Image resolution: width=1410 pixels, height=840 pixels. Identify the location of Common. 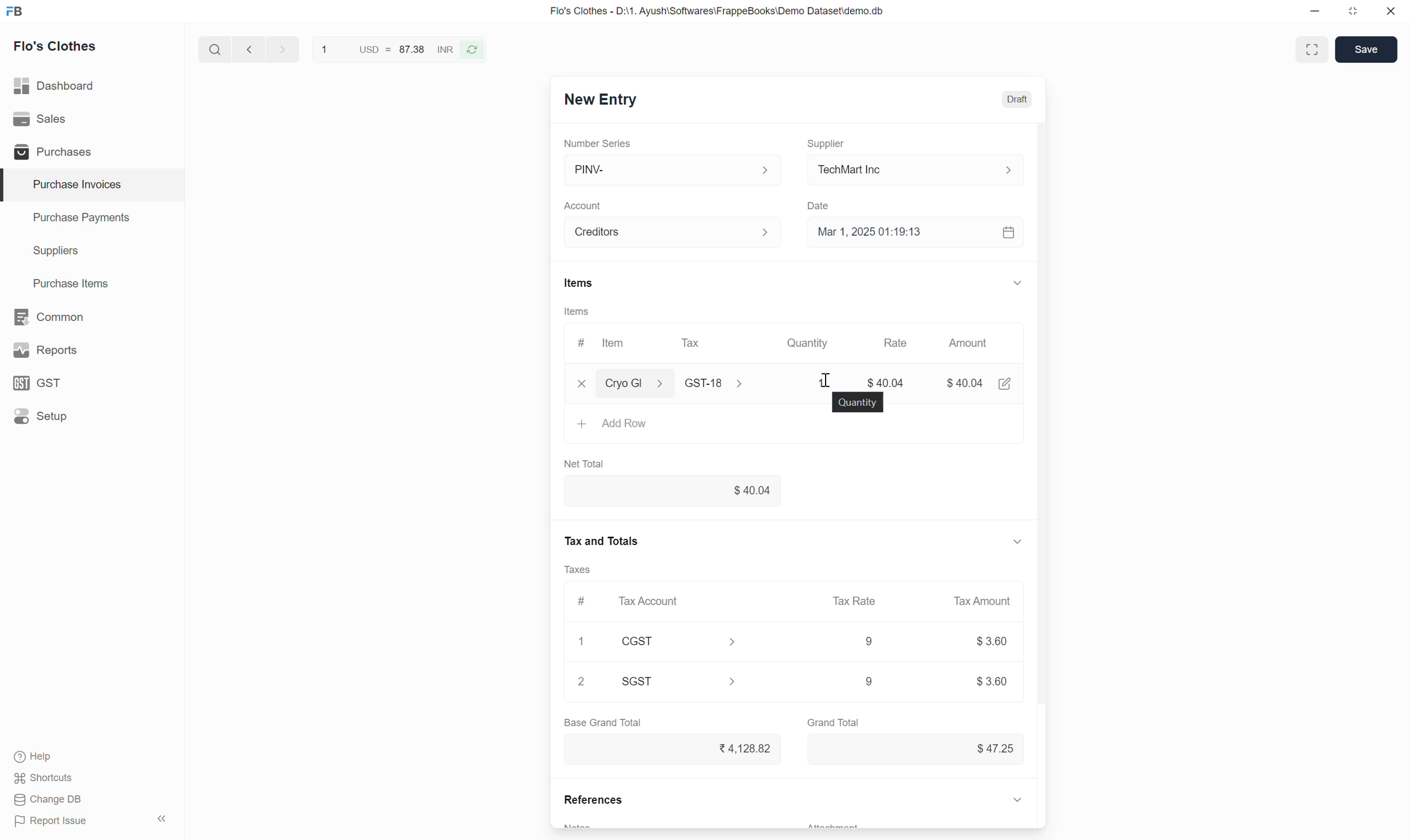
(50, 316).